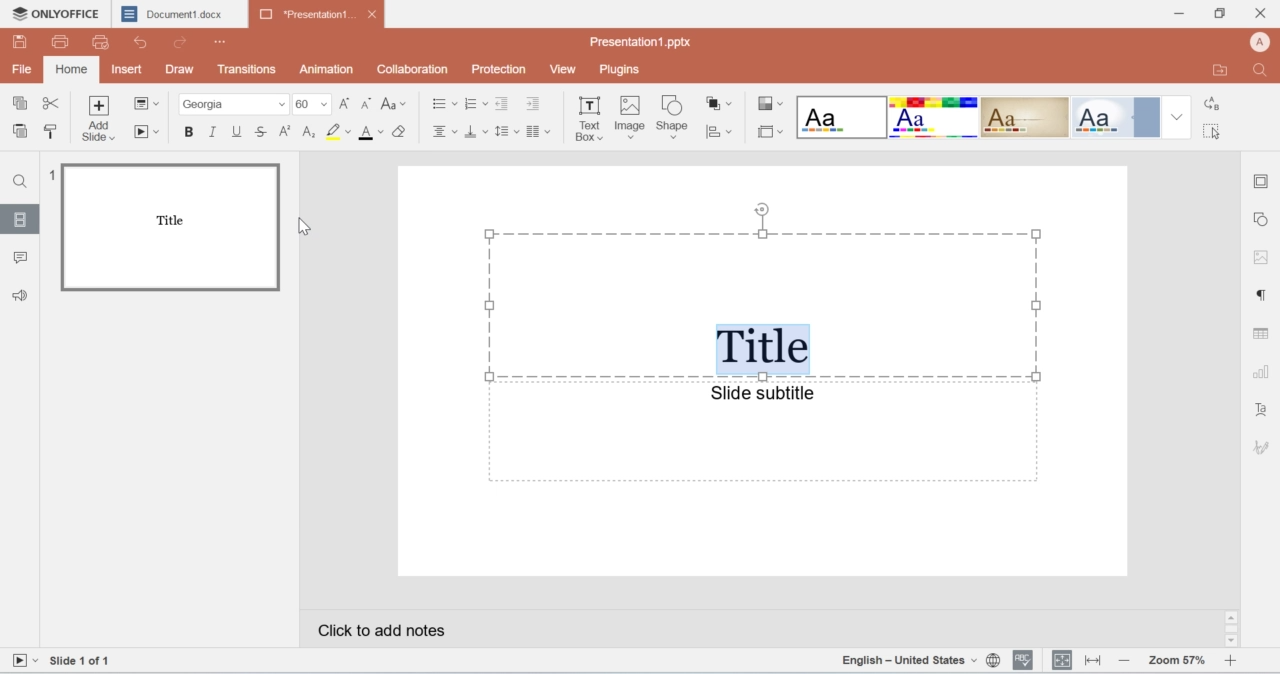 The image size is (1280, 674). Describe the element at coordinates (1210, 105) in the screenshot. I see `a to b` at that location.